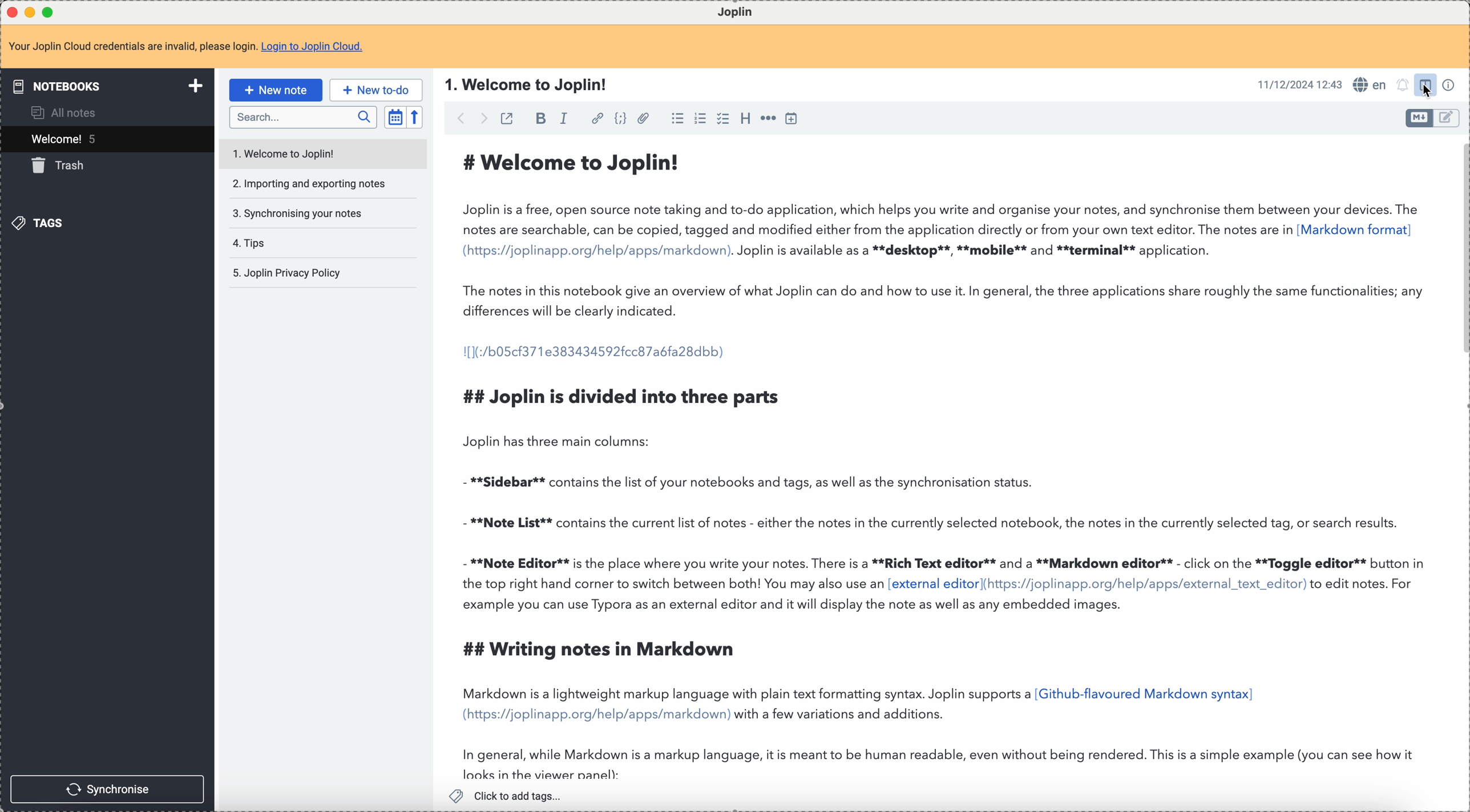 The height and width of the screenshot is (812, 1470). Describe the element at coordinates (297, 212) in the screenshot. I see `synchronising your notes` at that location.